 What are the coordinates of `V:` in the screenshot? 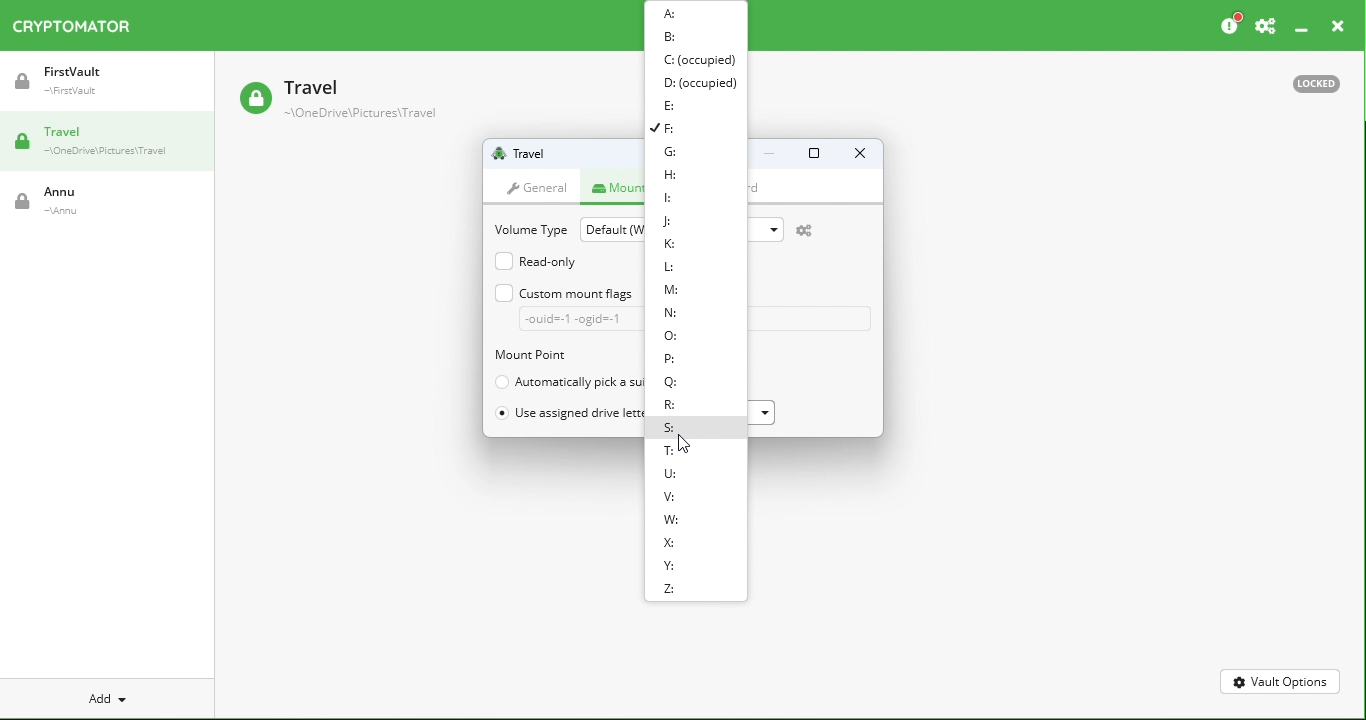 It's located at (670, 499).